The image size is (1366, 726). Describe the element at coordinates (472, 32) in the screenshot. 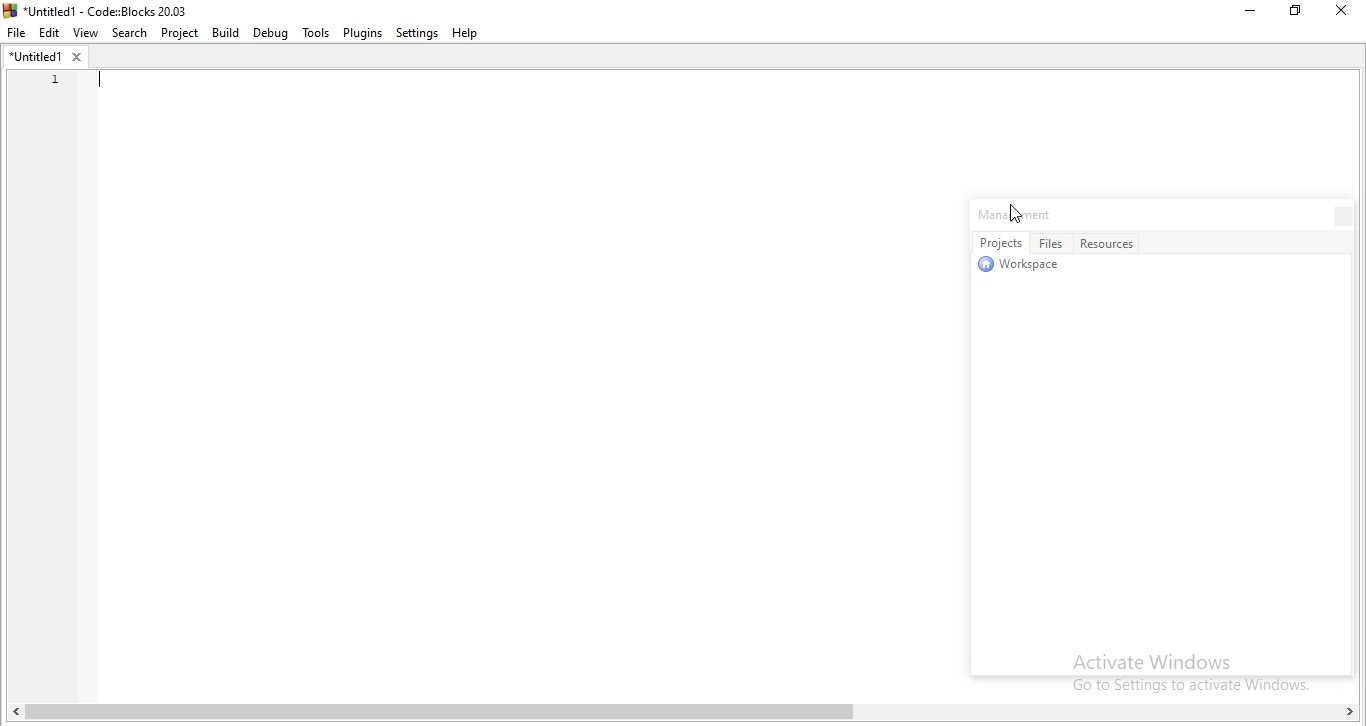

I see `Help` at that location.